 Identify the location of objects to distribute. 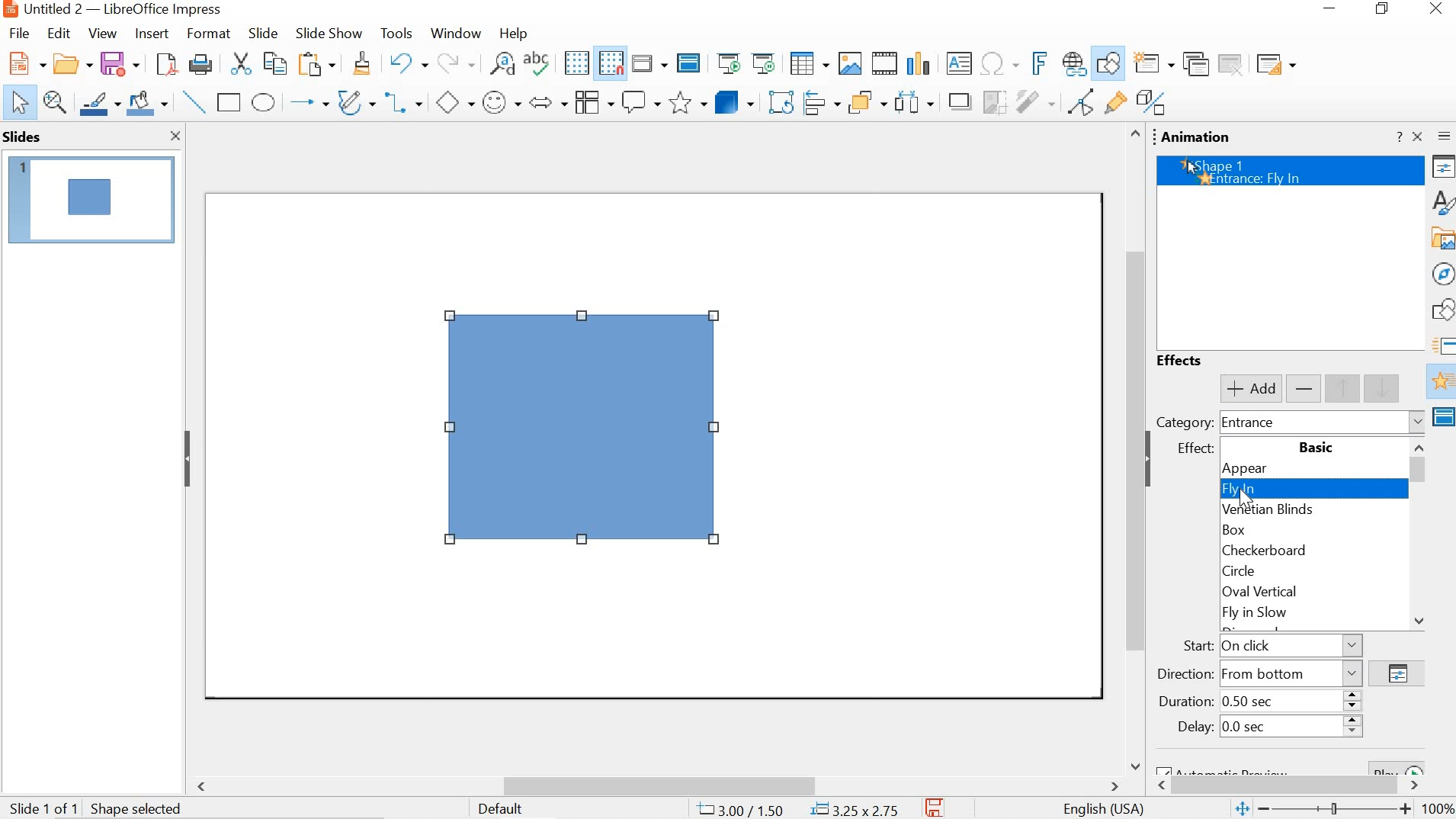
(915, 100).